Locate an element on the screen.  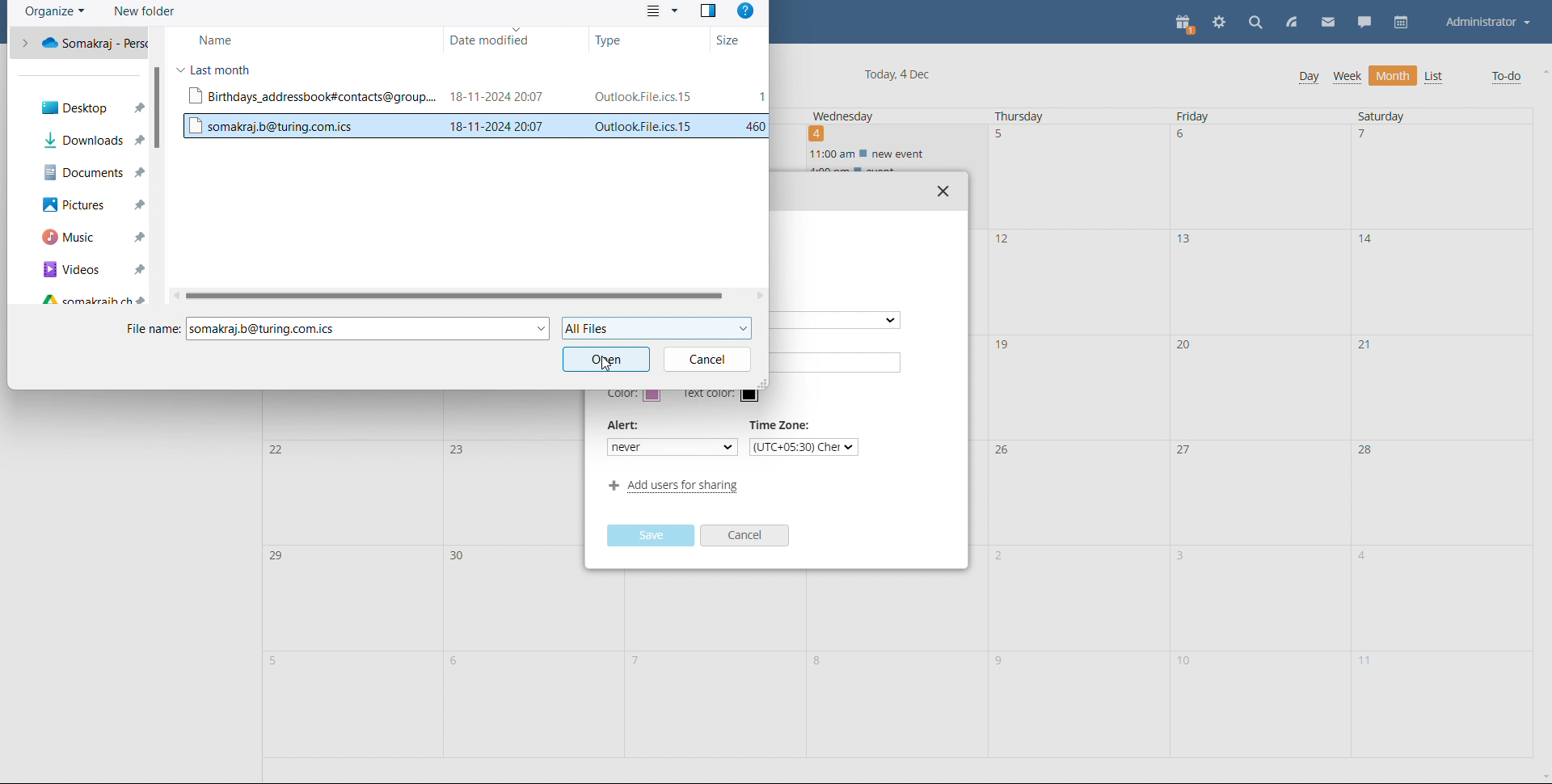
horizontal scrollbar is located at coordinates (451, 295).